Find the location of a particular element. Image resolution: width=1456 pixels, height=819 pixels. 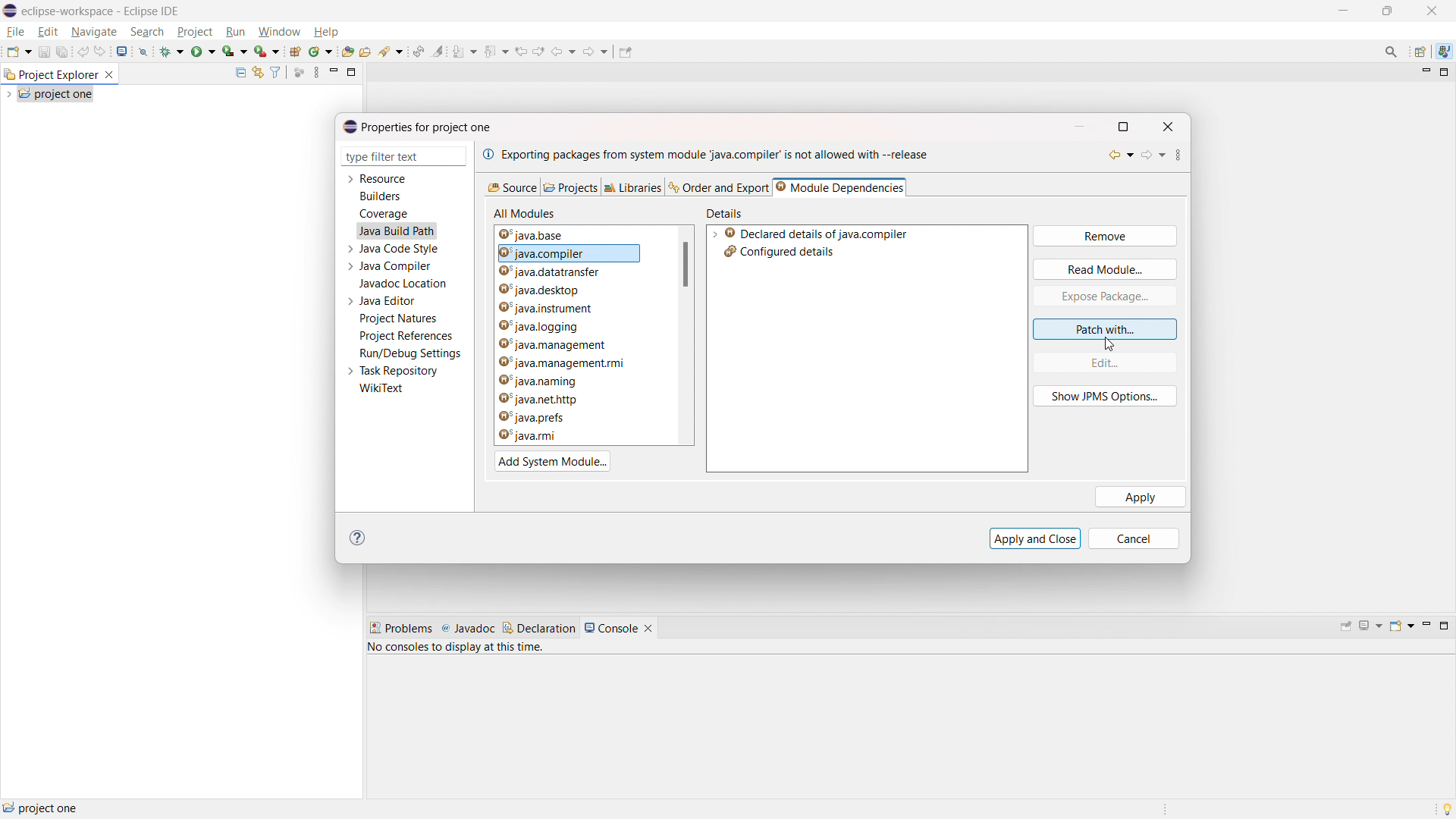

project is located at coordinates (195, 32).